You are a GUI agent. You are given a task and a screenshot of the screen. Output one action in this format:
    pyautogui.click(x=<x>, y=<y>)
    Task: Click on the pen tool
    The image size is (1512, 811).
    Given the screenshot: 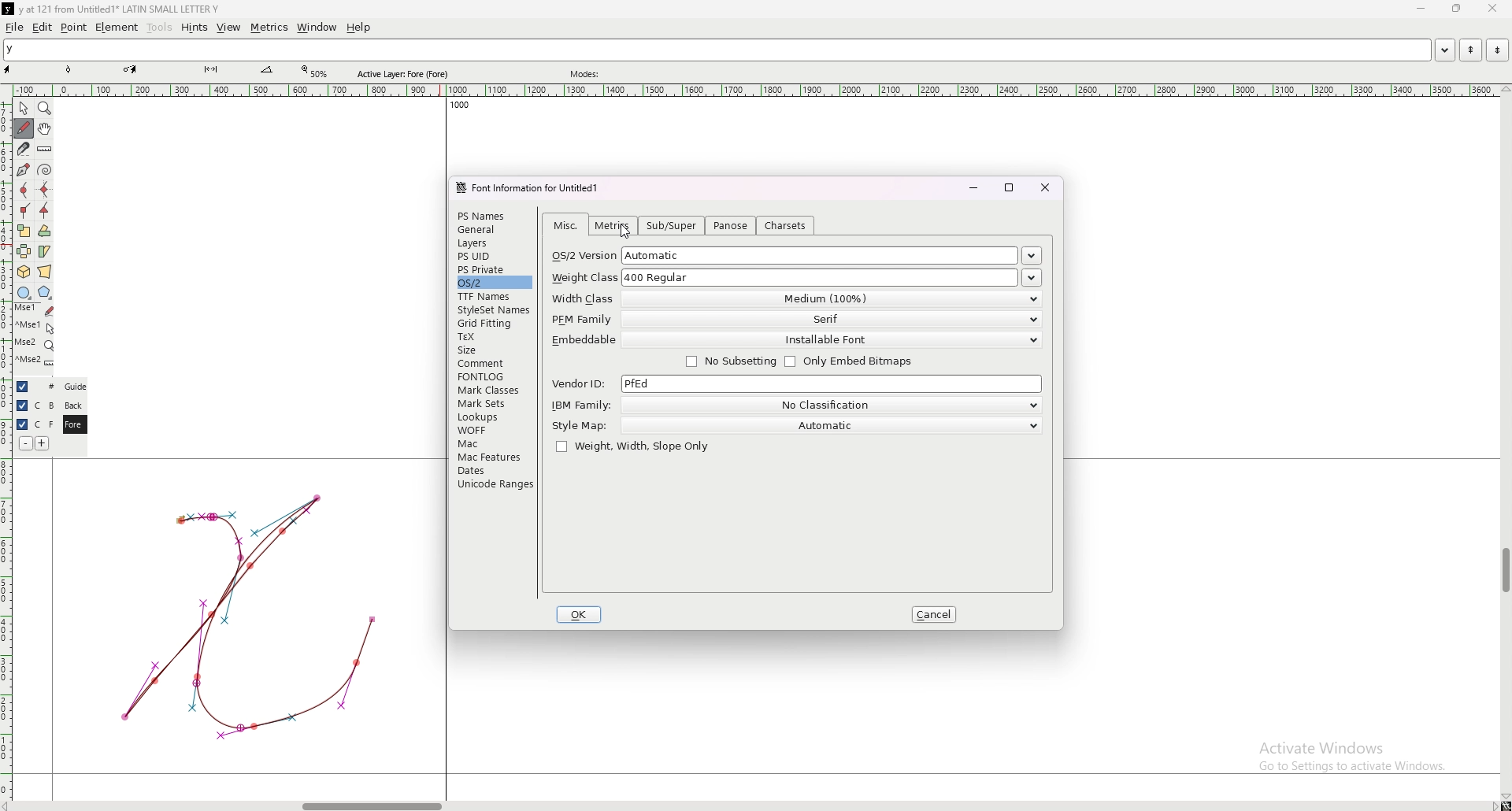 What is the action you would take?
    pyautogui.click(x=130, y=69)
    